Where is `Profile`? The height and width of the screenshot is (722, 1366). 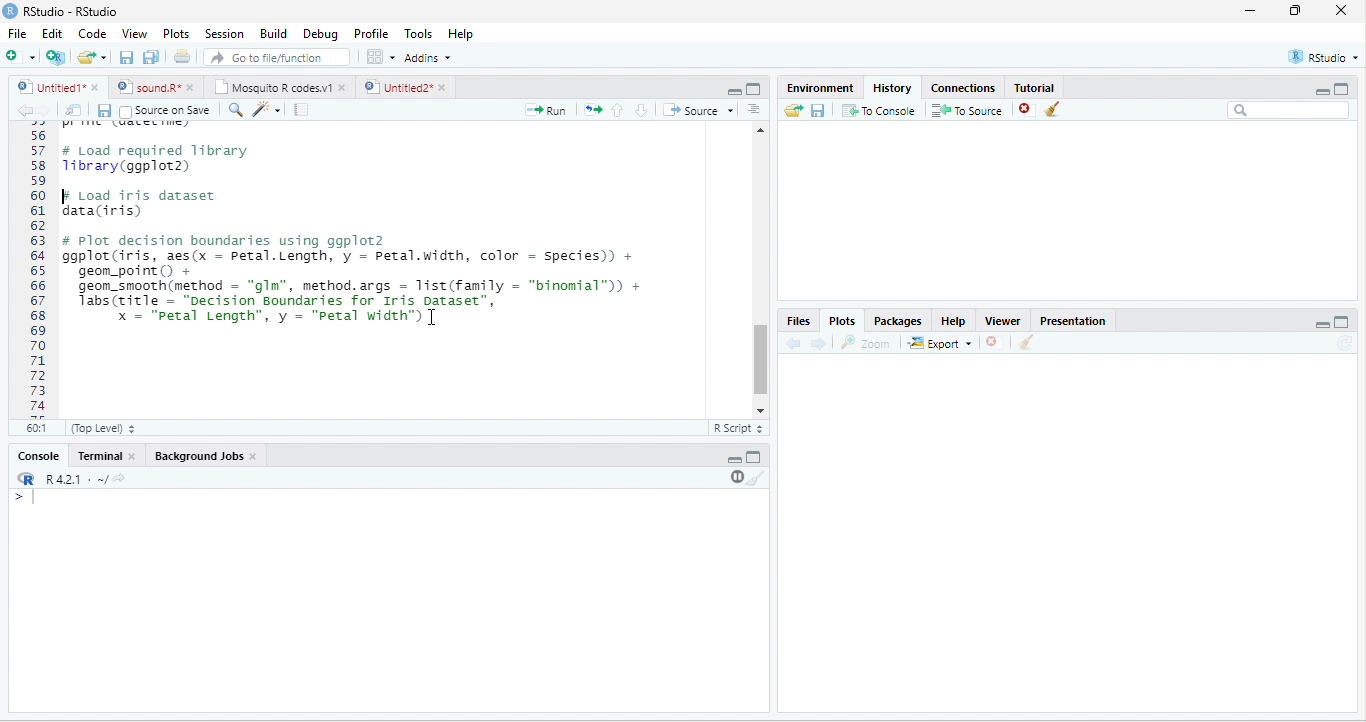 Profile is located at coordinates (373, 34).